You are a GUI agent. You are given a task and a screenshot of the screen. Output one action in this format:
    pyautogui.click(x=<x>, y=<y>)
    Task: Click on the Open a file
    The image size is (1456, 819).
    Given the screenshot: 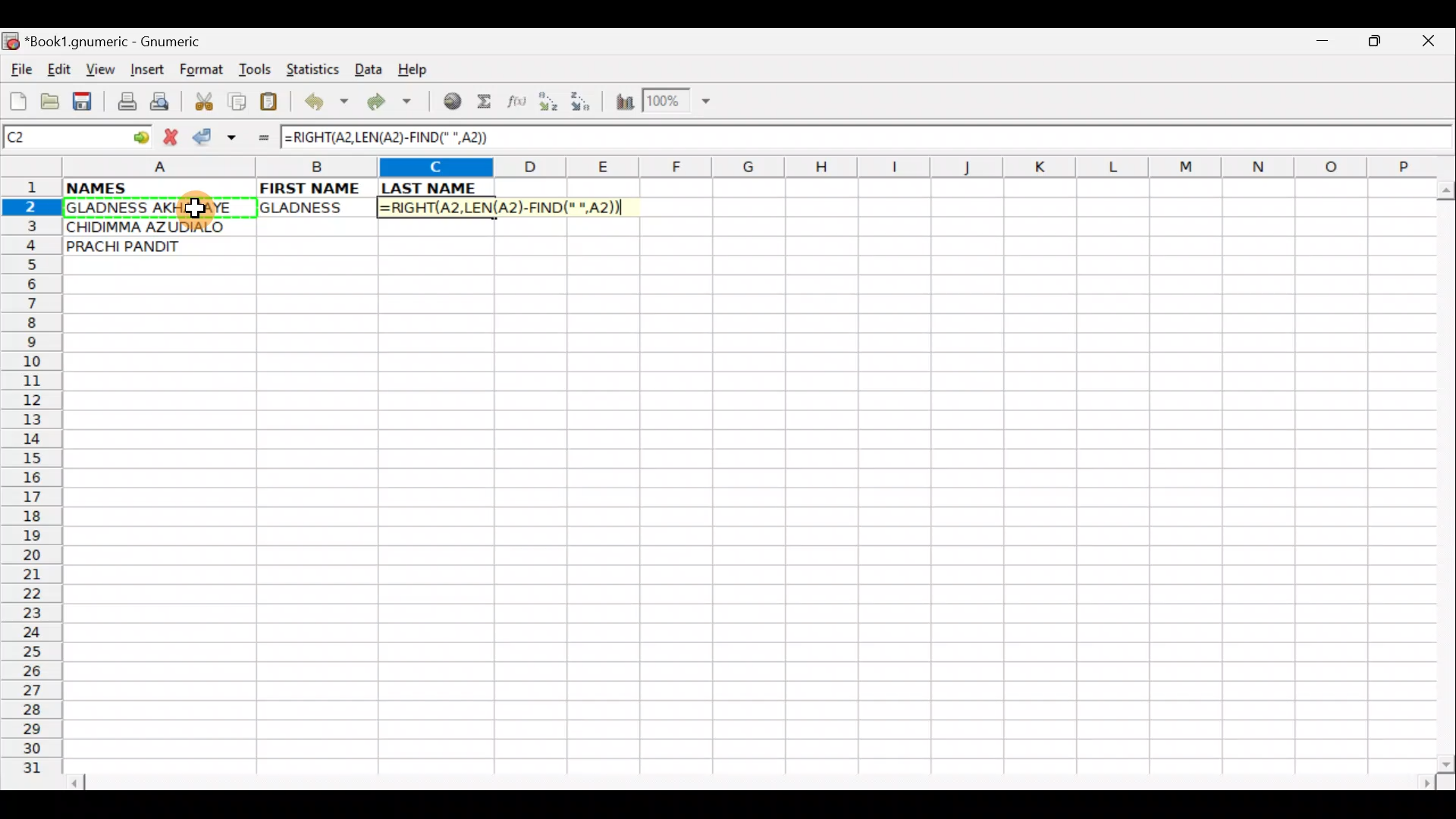 What is the action you would take?
    pyautogui.click(x=53, y=99)
    